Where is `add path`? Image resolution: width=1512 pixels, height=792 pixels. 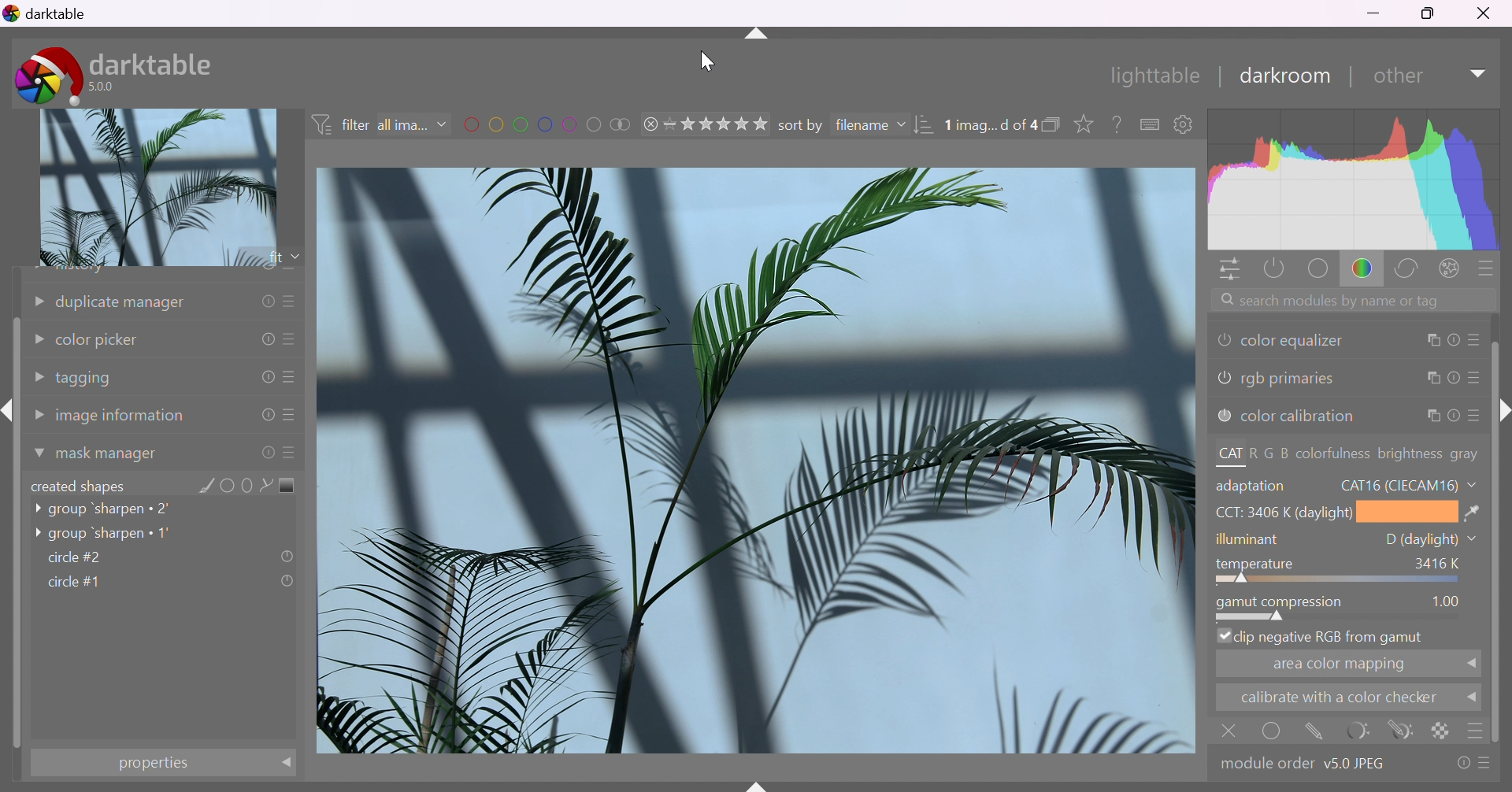
add path is located at coordinates (267, 485).